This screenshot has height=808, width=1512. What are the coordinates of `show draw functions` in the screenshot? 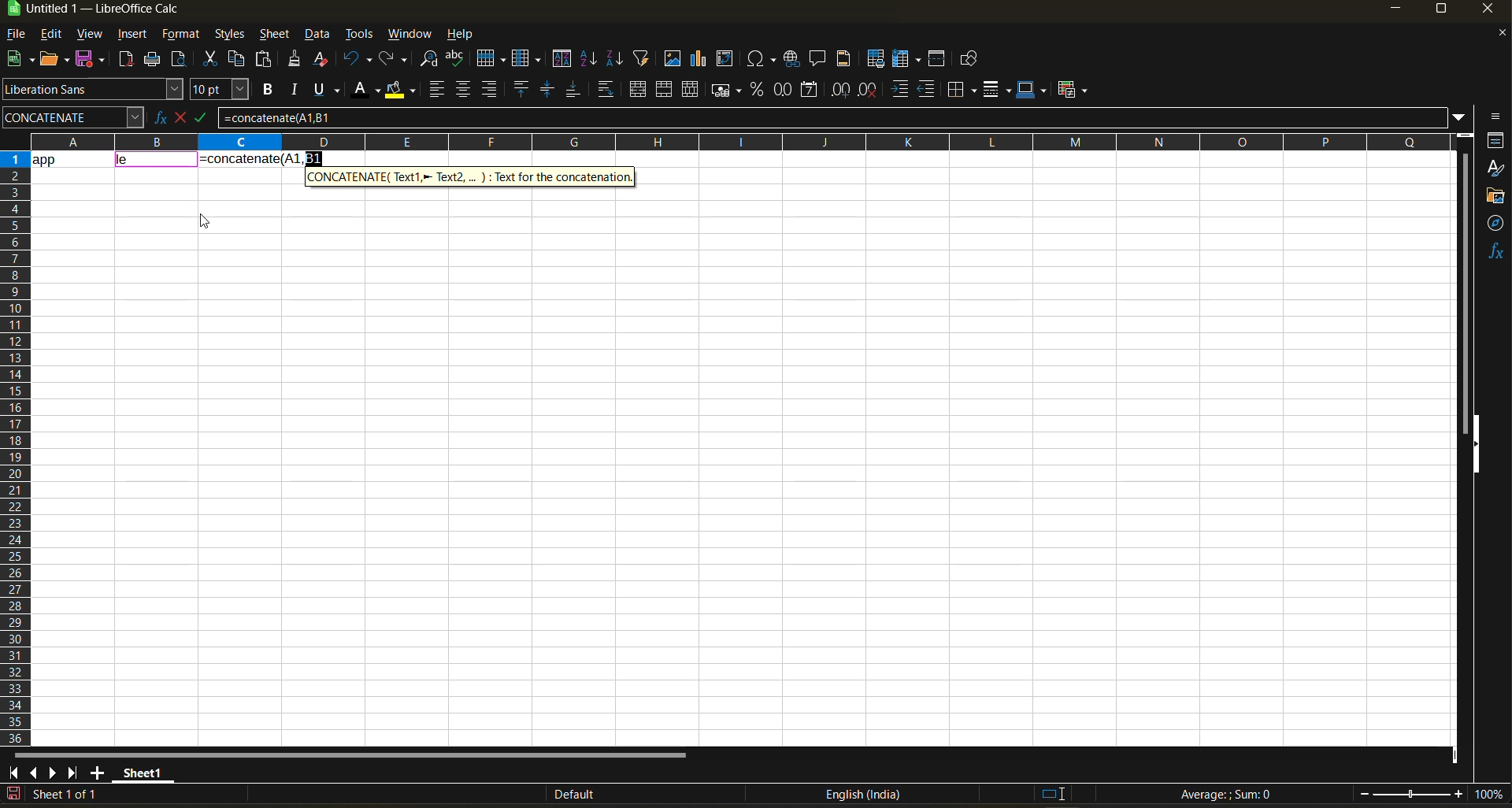 It's located at (966, 61).